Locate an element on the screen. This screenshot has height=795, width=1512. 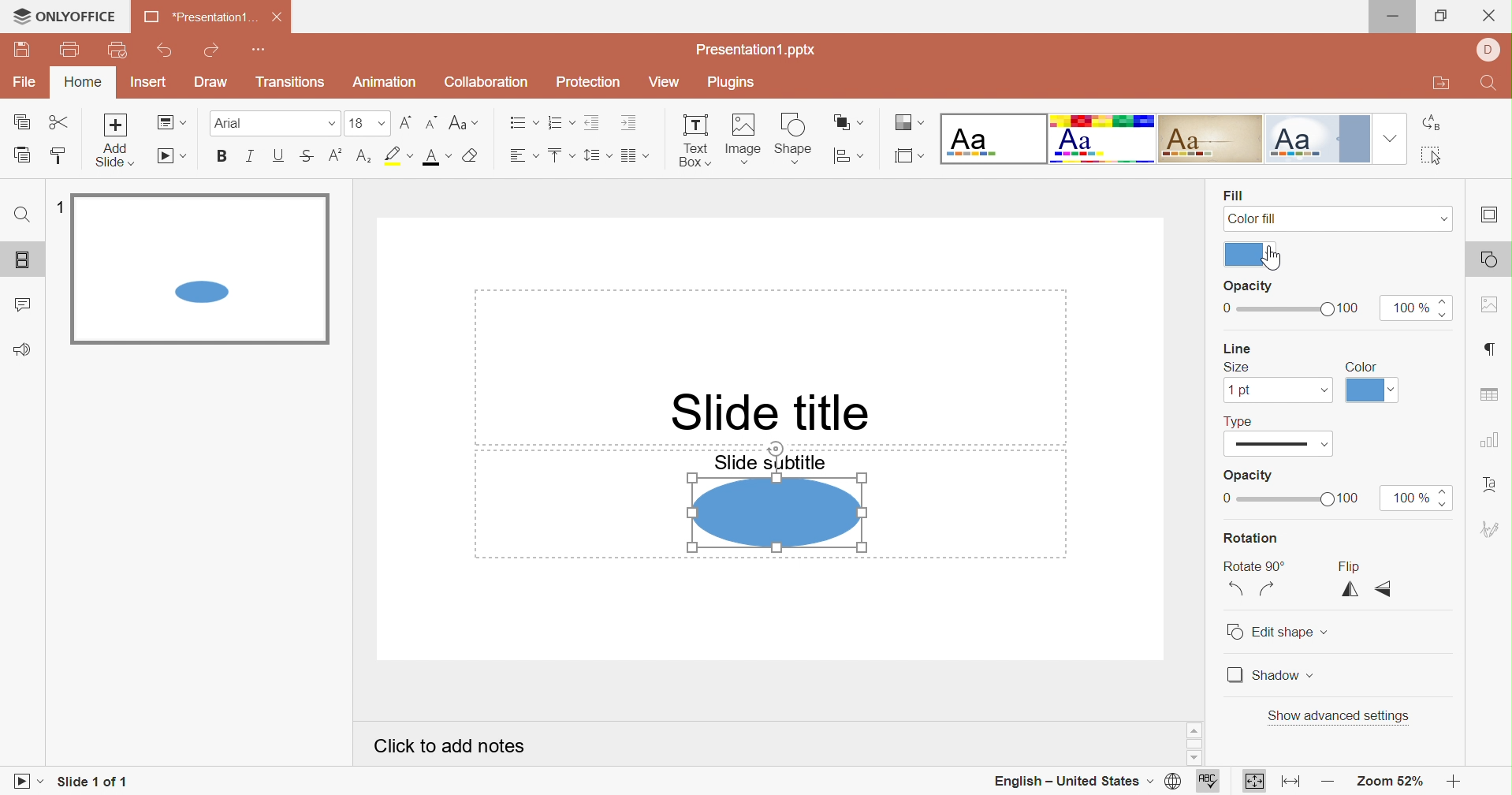
View is located at coordinates (665, 84).